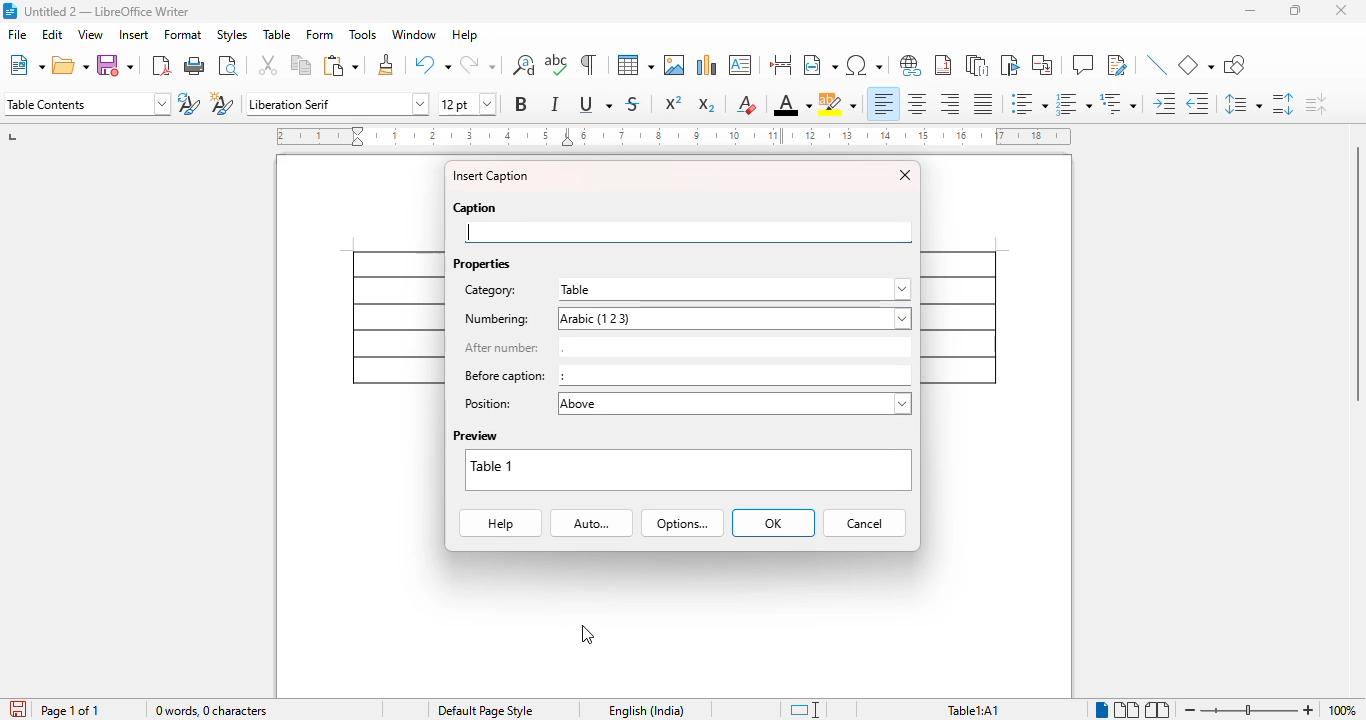 The width and height of the screenshot is (1366, 720). I want to click on insert hyperlink, so click(910, 65).